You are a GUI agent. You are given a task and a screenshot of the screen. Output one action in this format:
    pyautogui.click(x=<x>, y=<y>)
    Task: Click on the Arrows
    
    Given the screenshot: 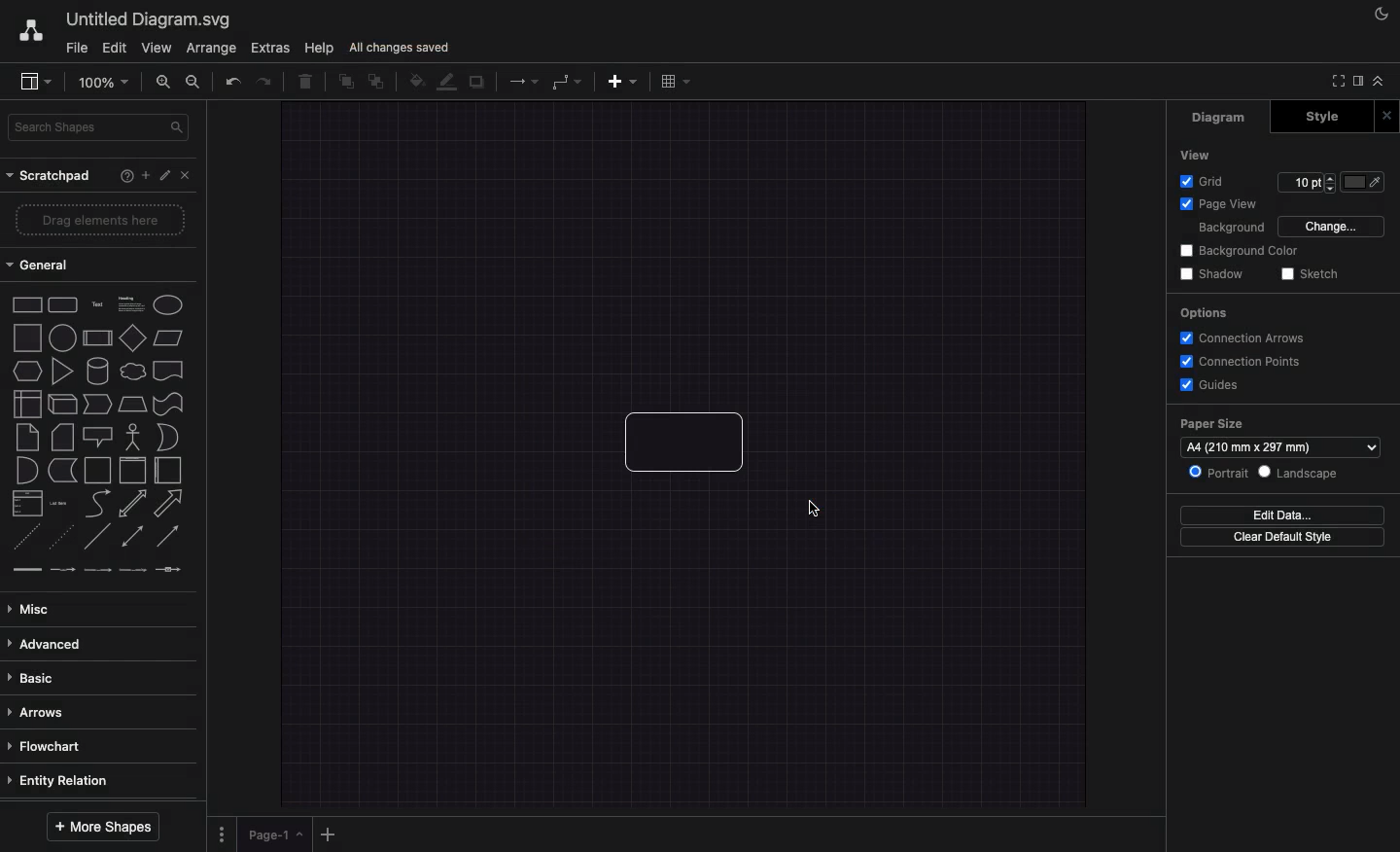 What is the action you would take?
    pyautogui.click(x=36, y=713)
    